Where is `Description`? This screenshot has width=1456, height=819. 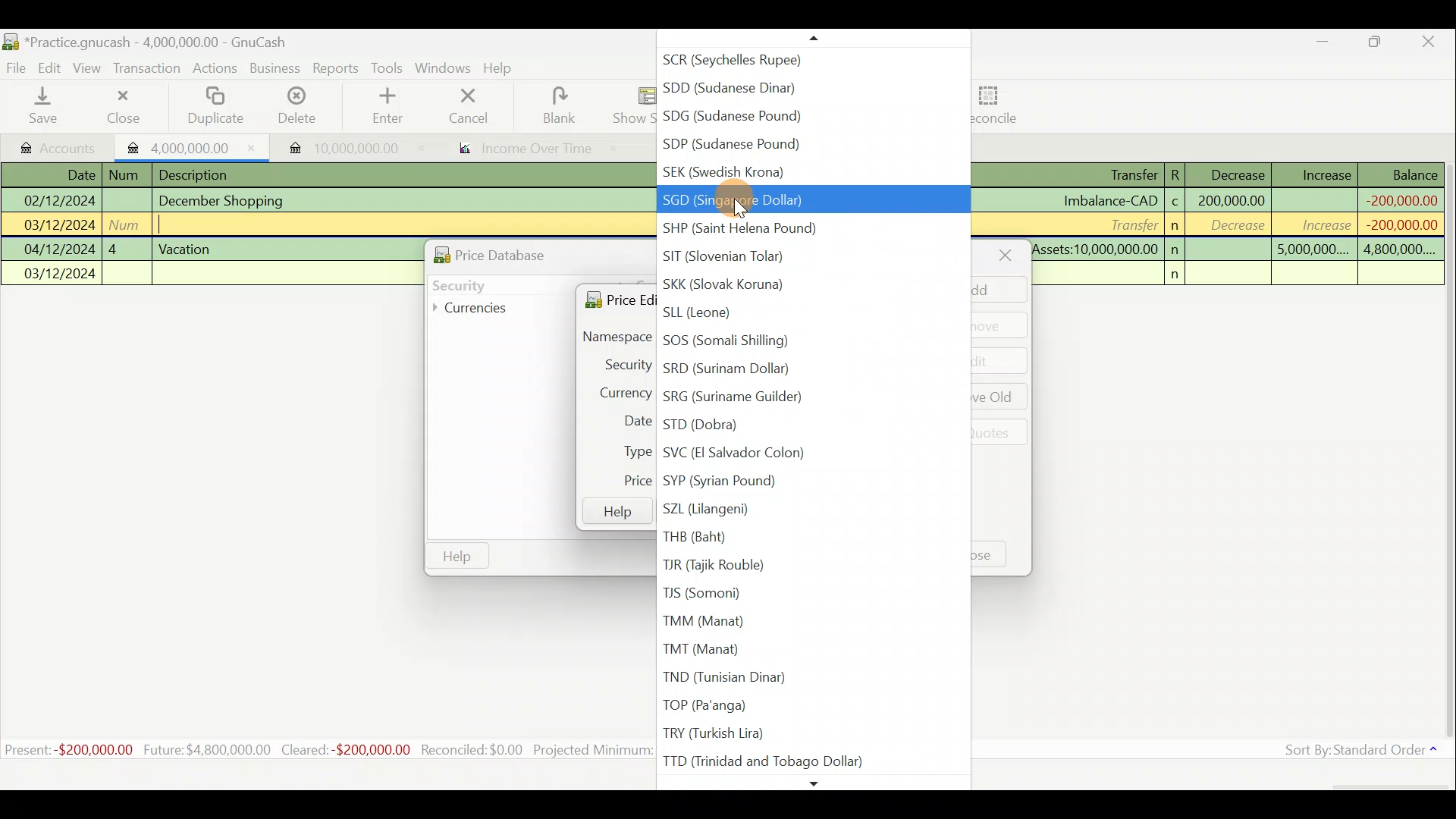 Description is located at coordinates (199, 173).